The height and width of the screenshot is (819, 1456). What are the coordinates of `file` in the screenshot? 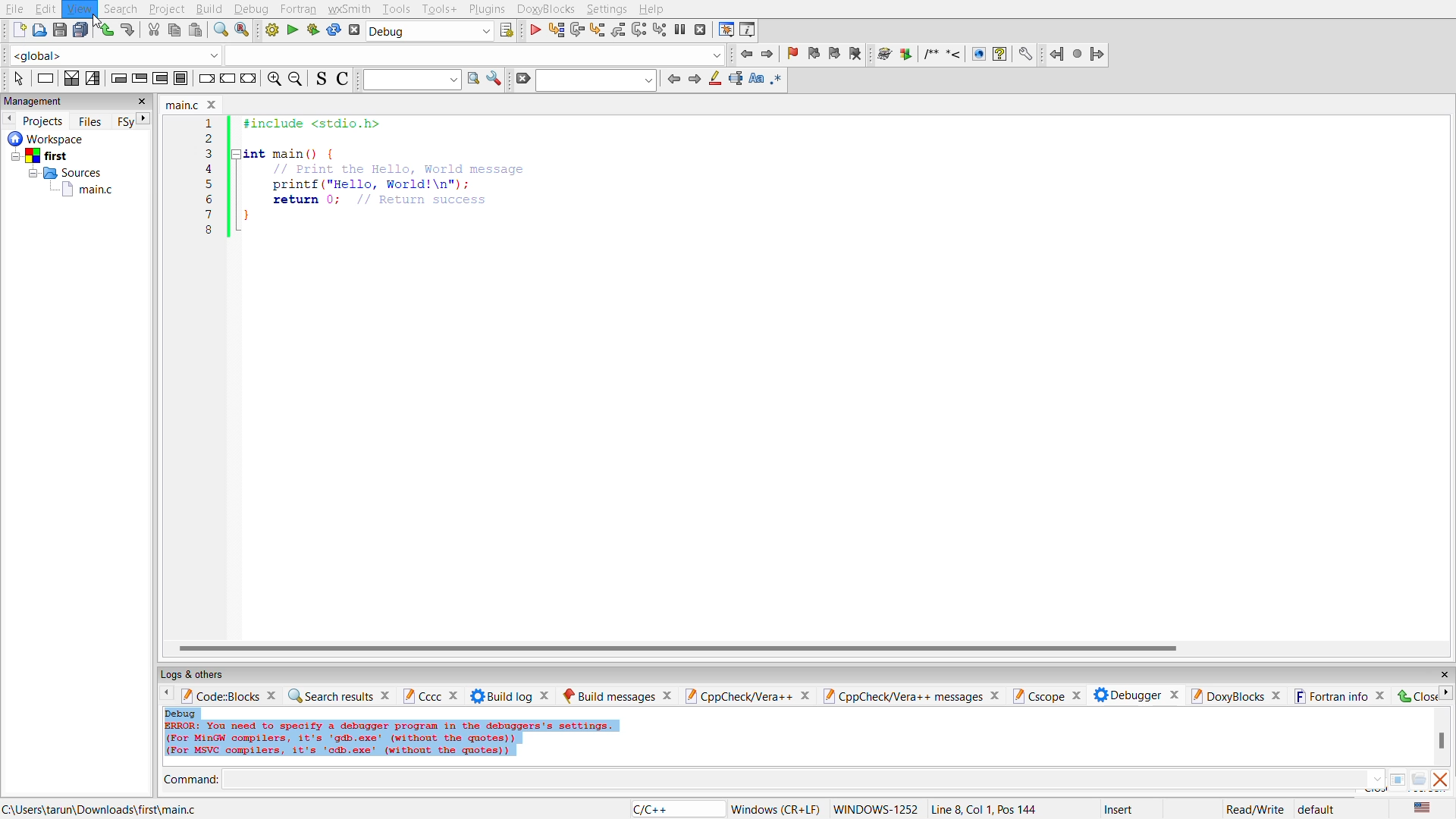 It's located at (17, 10).